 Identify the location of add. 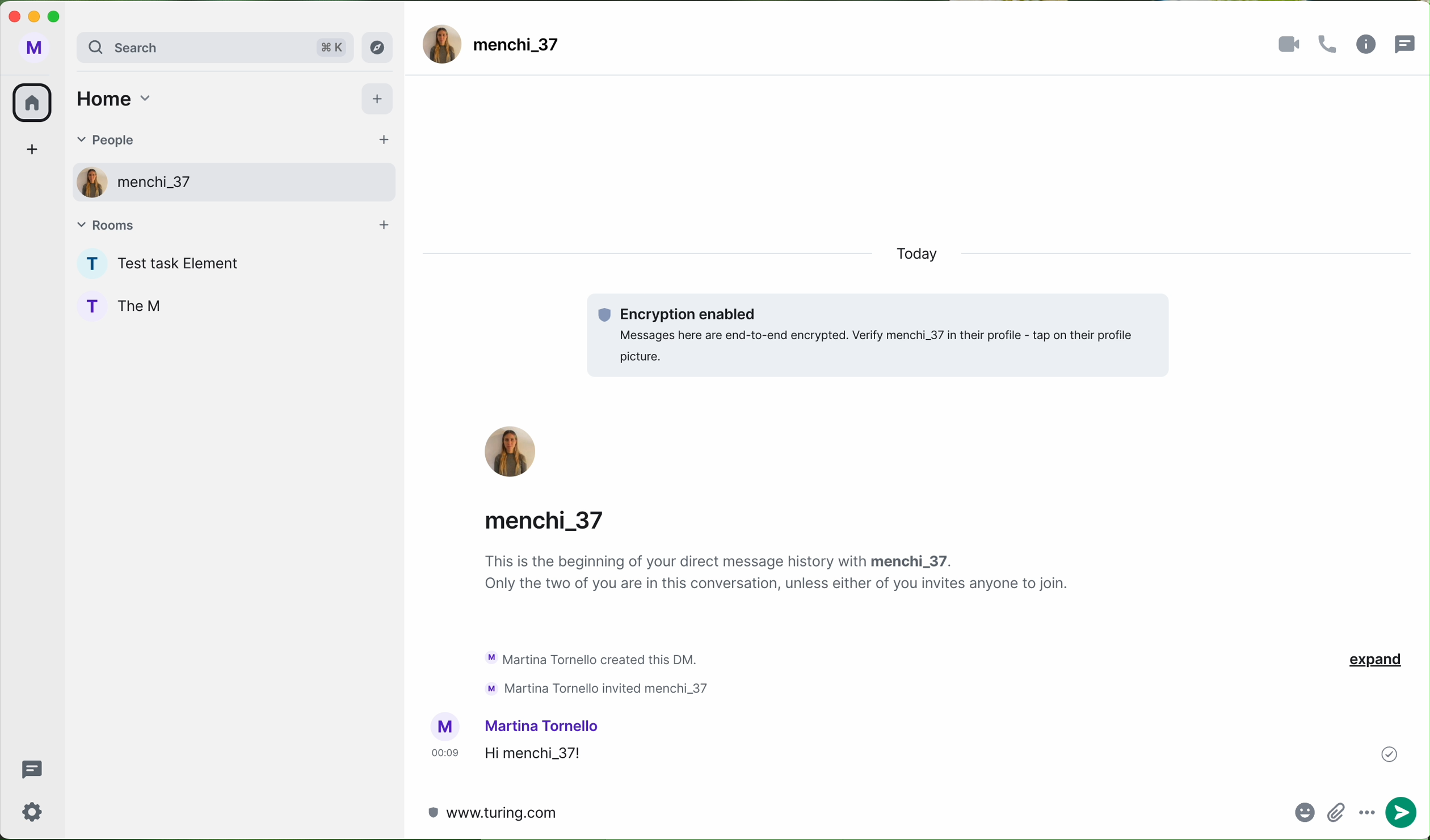
(36, 152).